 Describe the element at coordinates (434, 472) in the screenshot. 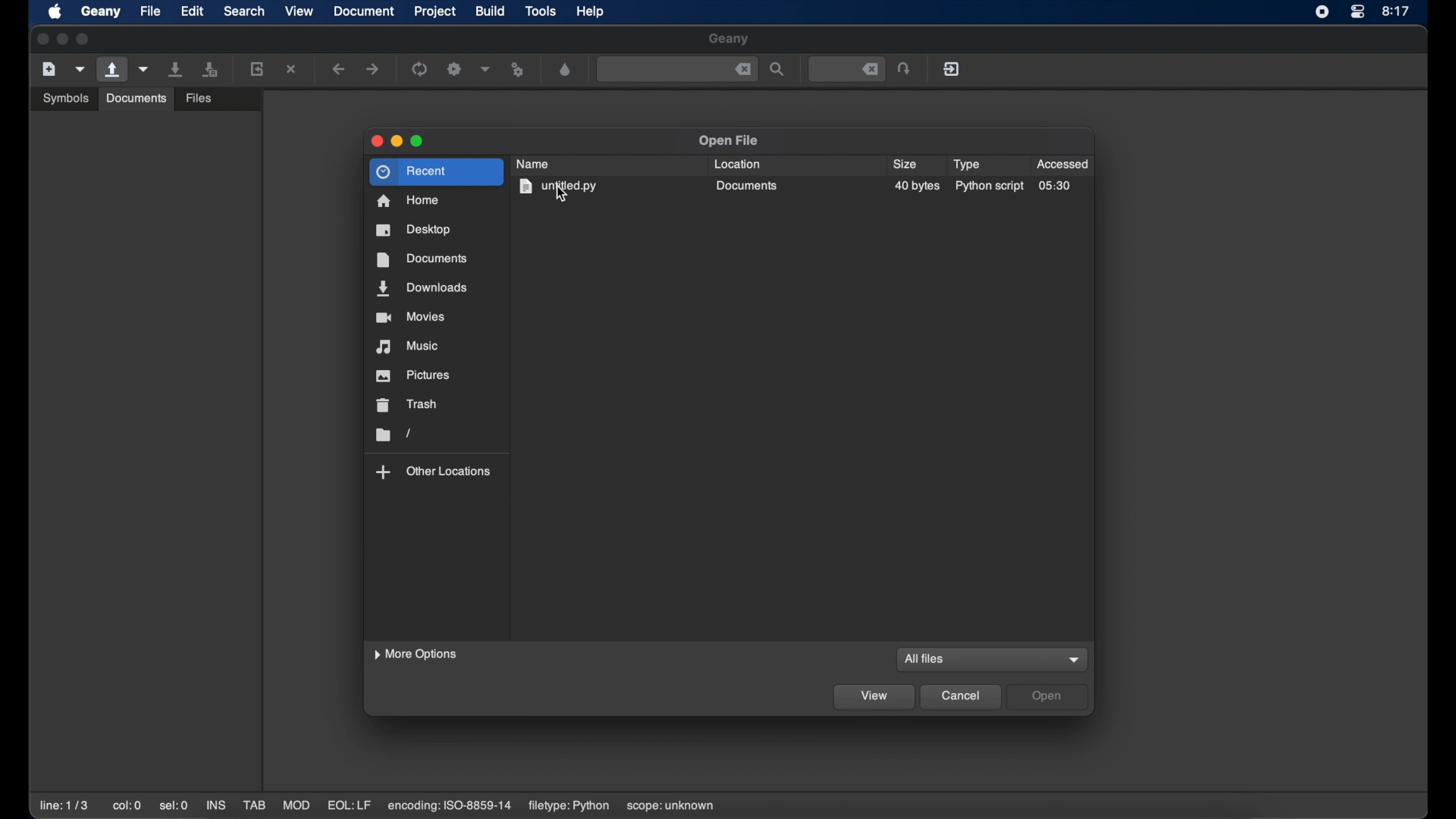

I see `other locations` at that location.